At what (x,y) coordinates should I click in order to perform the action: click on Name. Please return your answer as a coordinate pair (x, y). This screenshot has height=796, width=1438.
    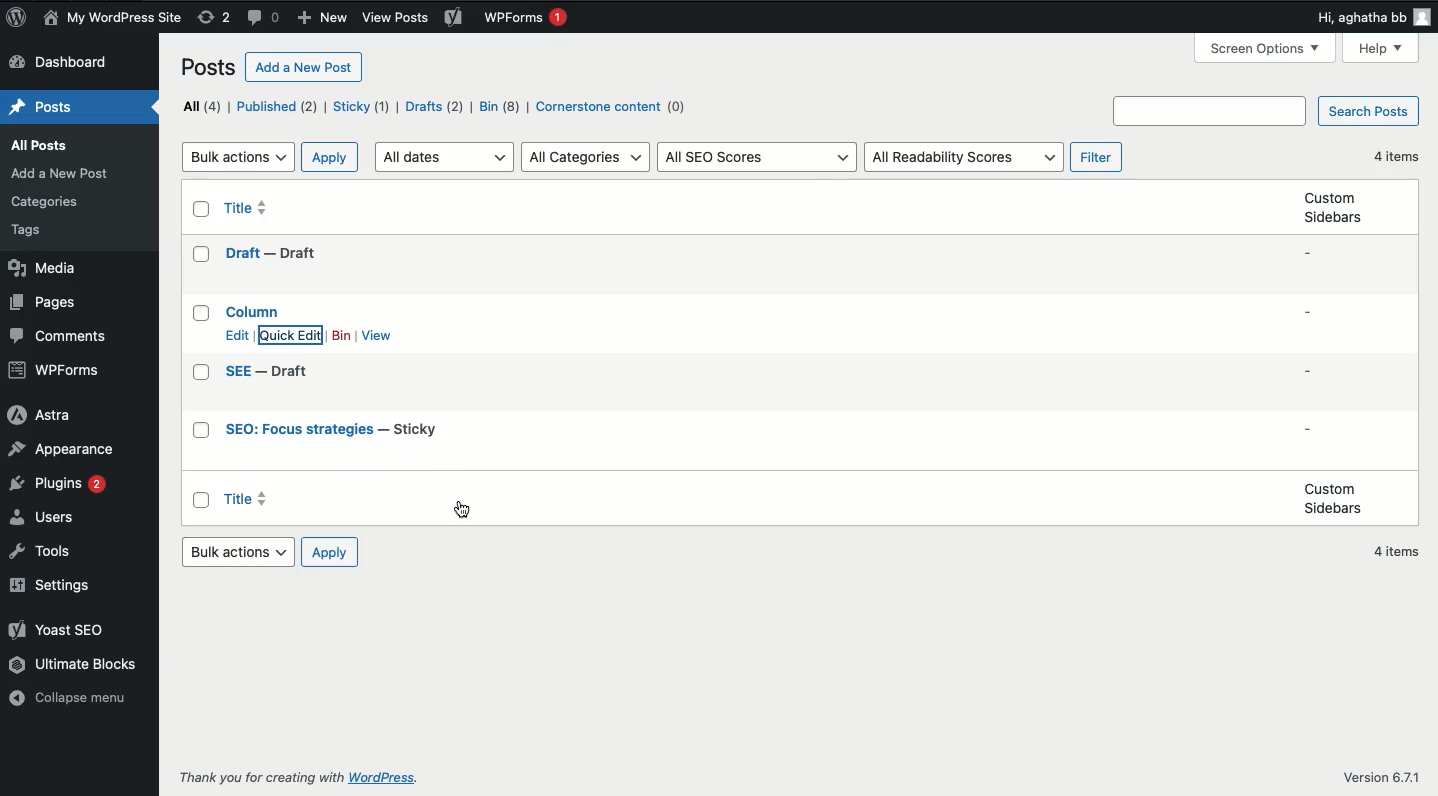
    Looking at the image, I should click on (111, 18).